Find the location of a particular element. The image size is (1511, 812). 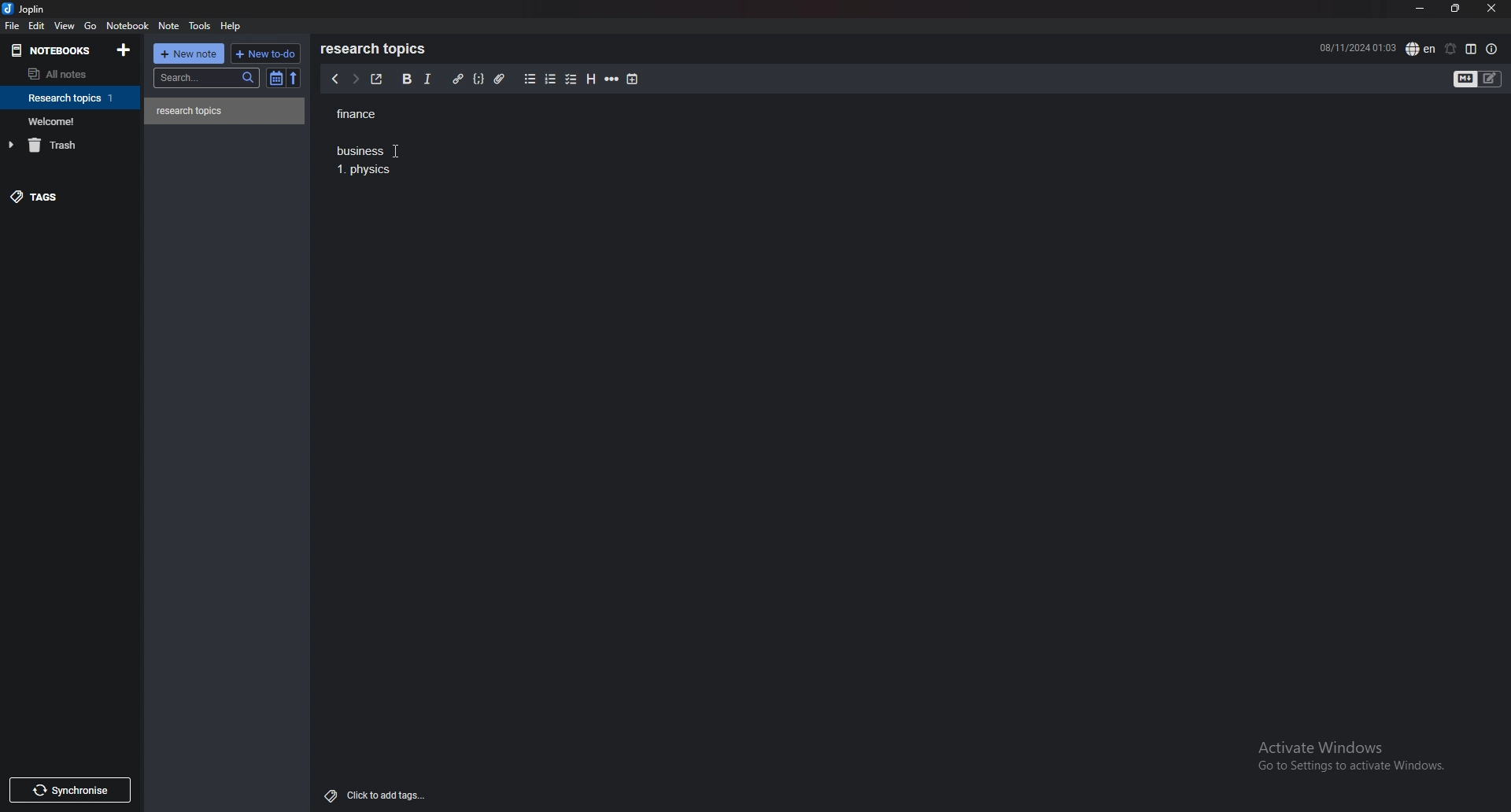

toggle sort order is located at coordinates (276, 79).